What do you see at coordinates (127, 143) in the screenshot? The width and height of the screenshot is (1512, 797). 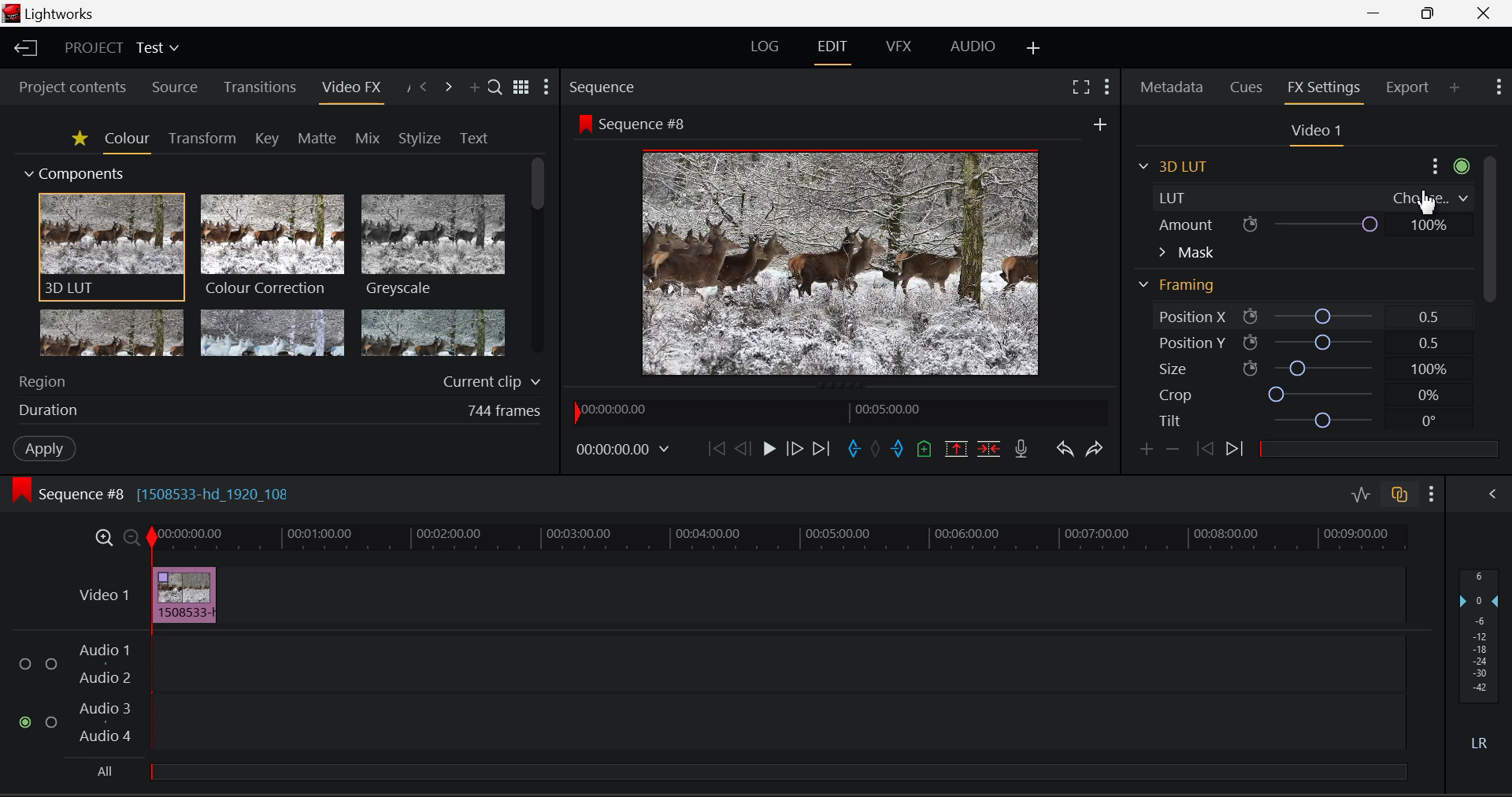 I see `Colour Tab Open` at bounding box center [127, 143].